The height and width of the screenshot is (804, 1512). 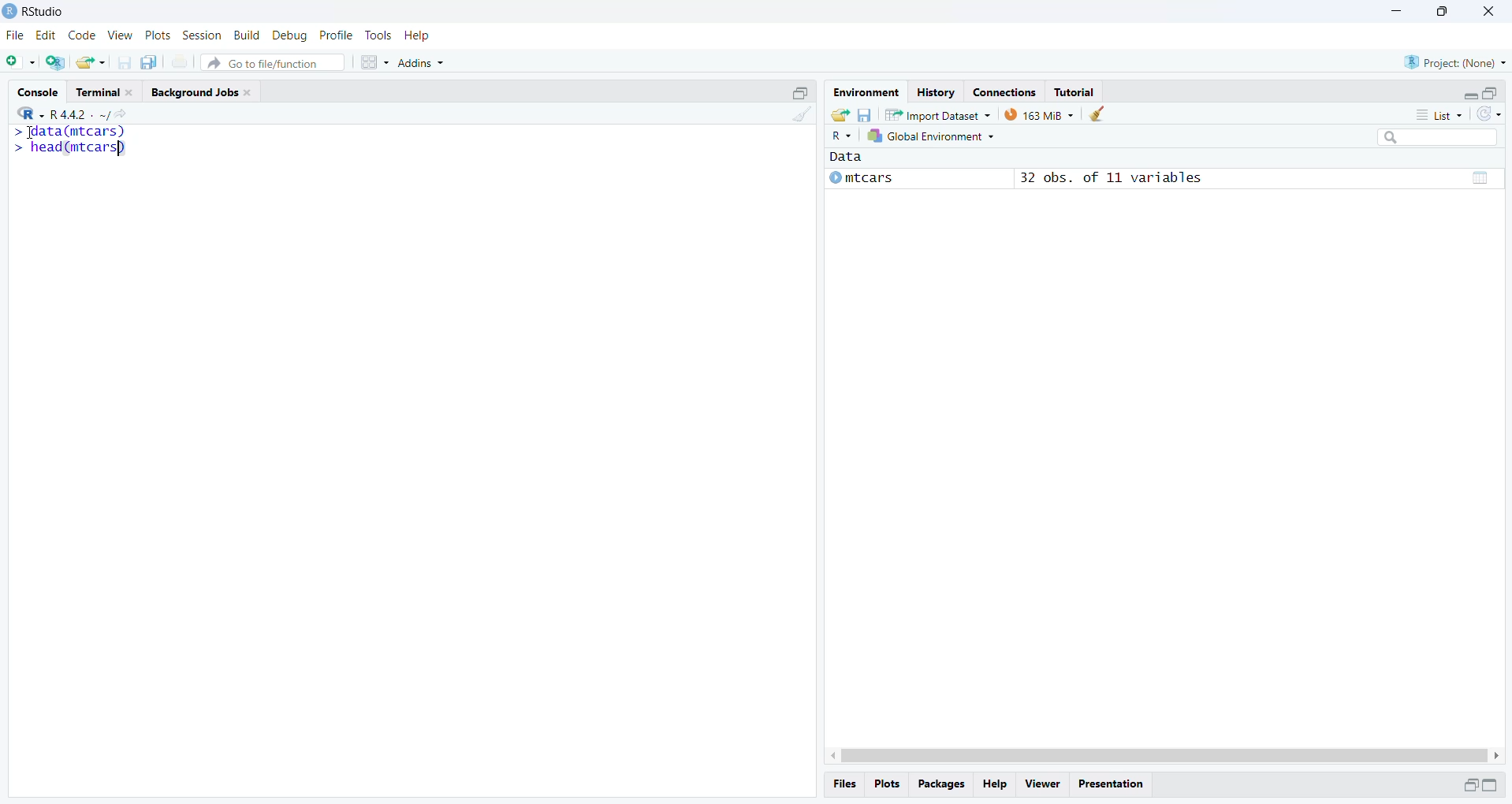 What do you see at coordinates (47, 12) in the screenshot?
I see `RStudio` at bounding box center [47, 12].